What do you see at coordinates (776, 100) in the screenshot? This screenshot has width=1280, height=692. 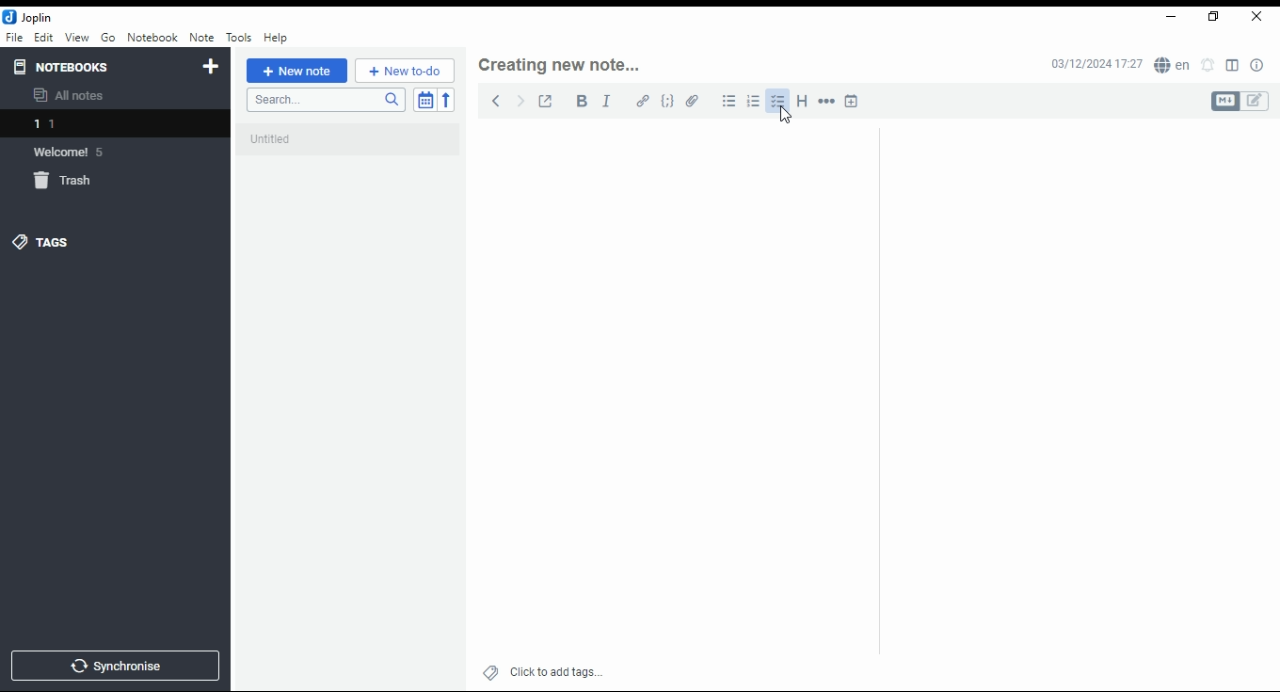 I see `checkbox list` at bounding box center [776, 100].